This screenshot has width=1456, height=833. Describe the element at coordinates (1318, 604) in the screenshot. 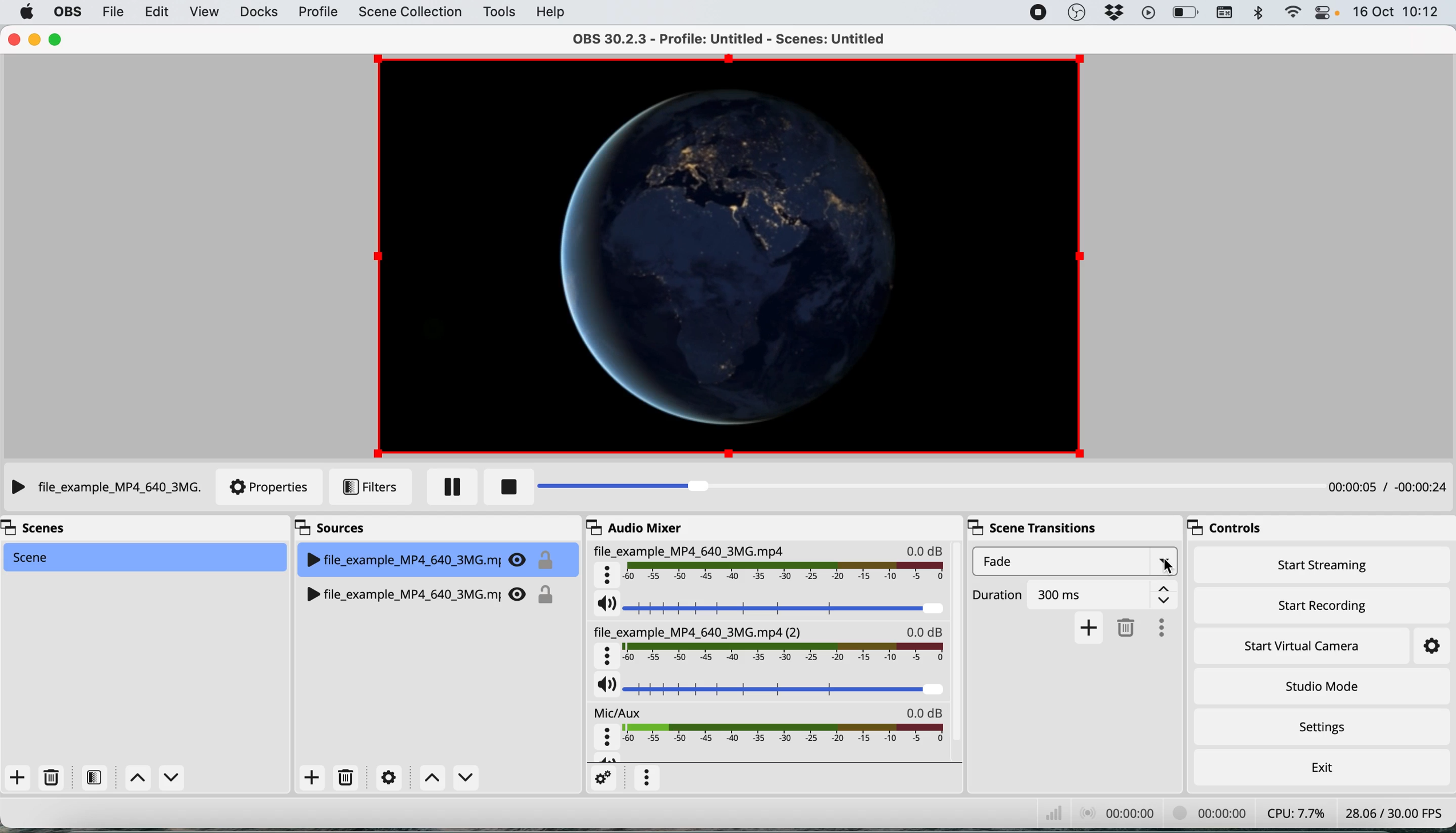

I see `start recording` at that location.